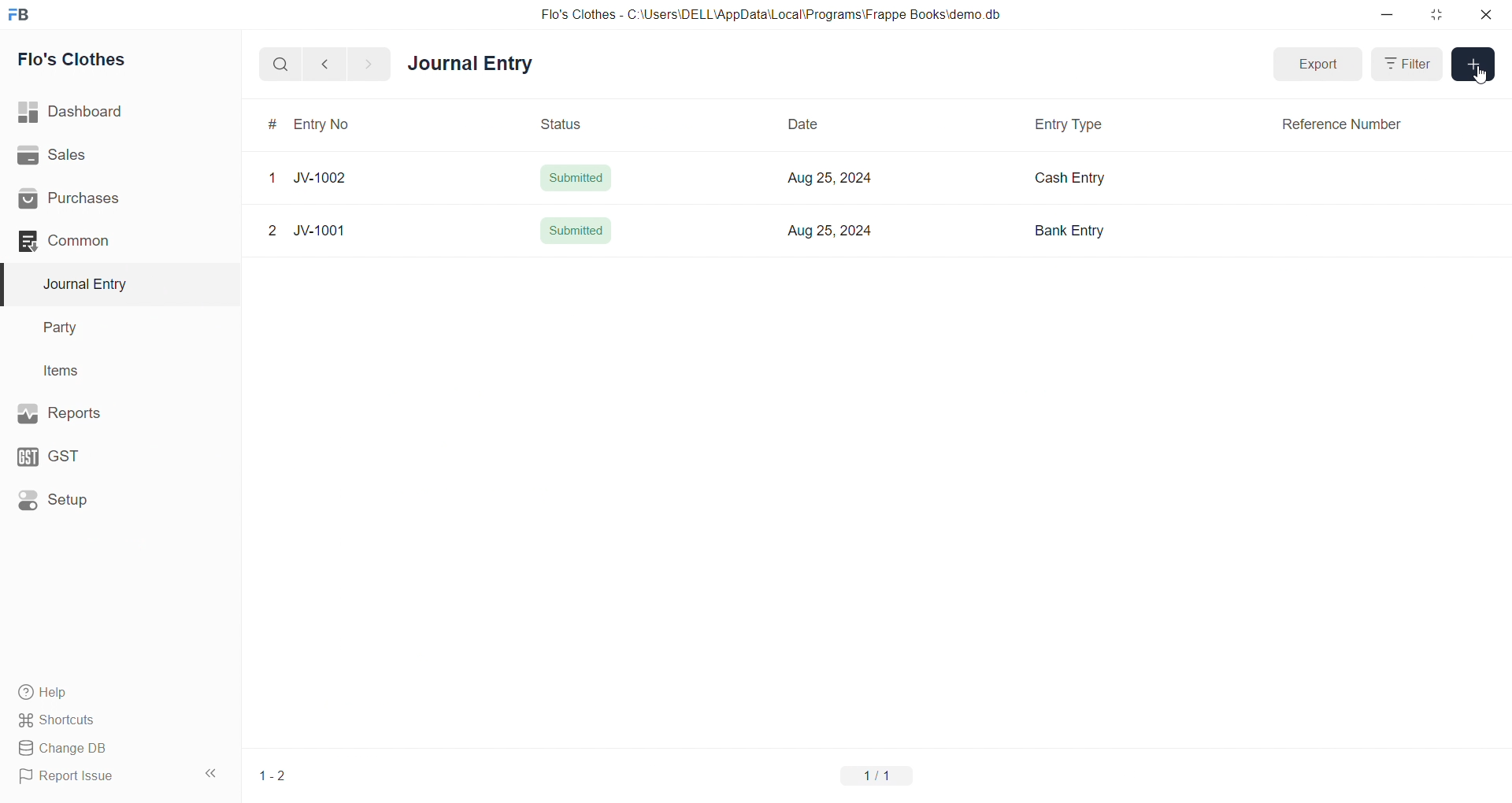 The image size is (1512, 803). I want to click on Expand, so click(1320, 65).